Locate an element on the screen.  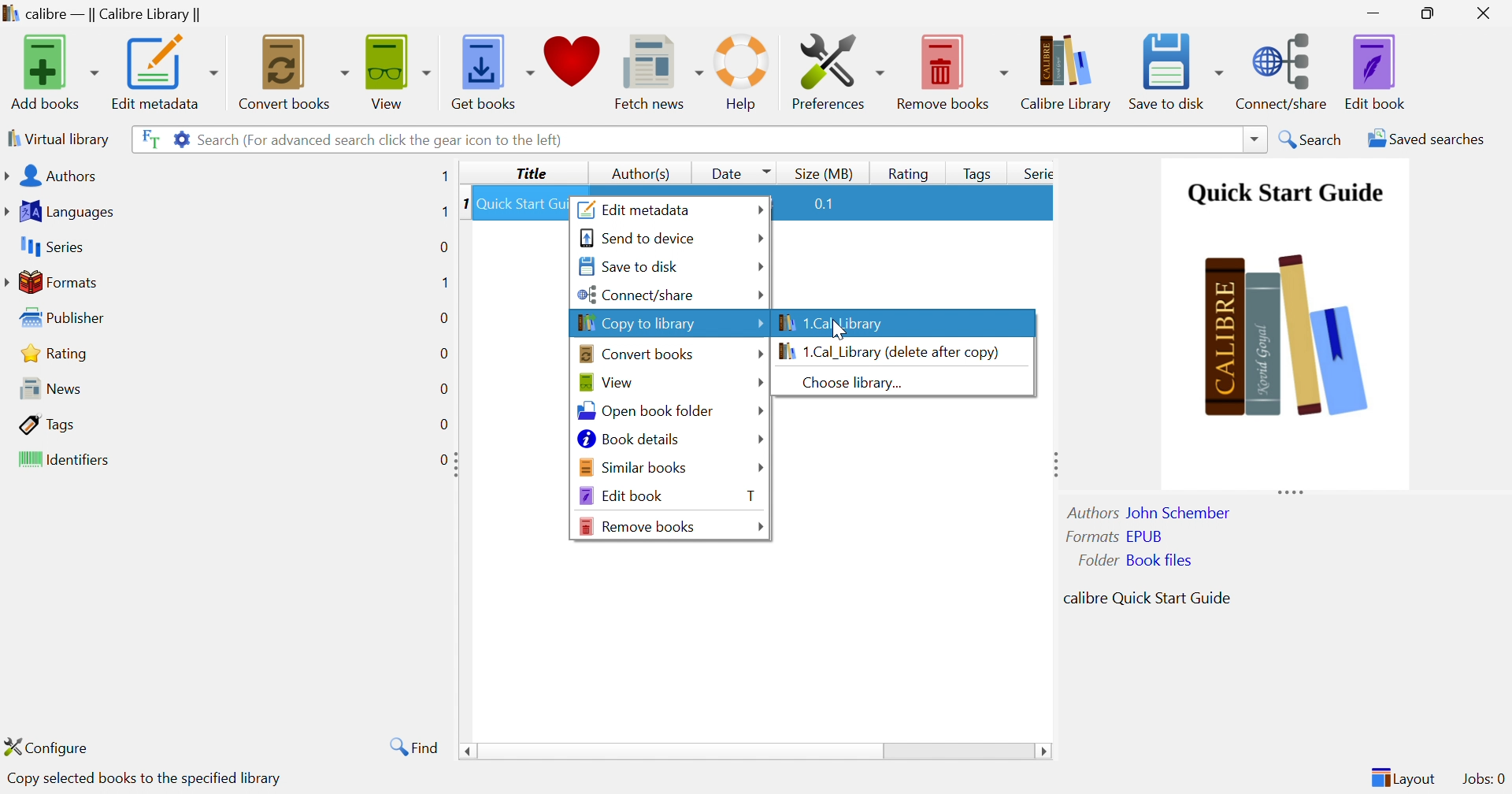
Jobs: 0 is located at coordinates (1482, 779).